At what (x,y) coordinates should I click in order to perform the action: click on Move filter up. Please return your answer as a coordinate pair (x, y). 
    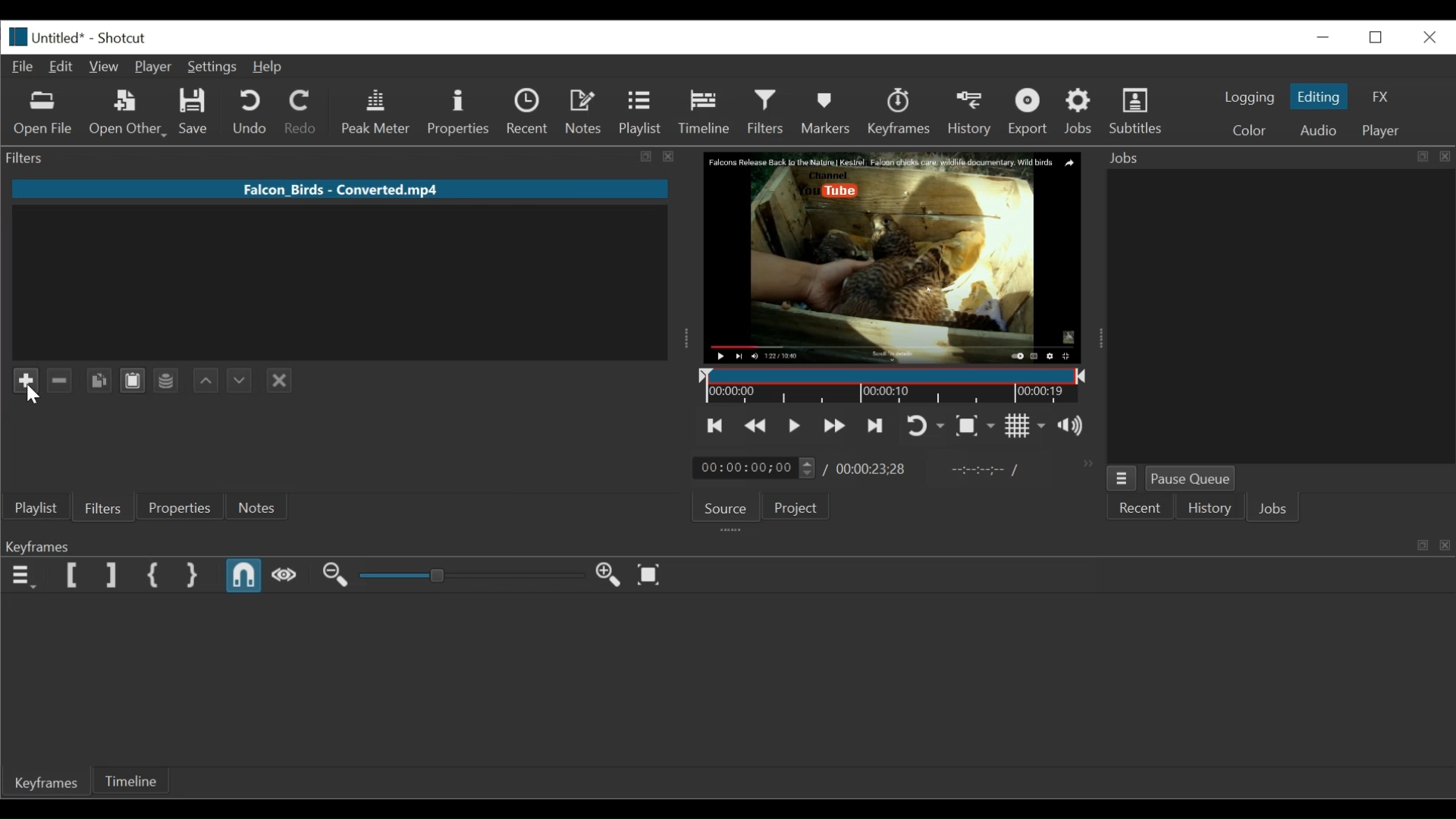
    Looking at the image, I should click on (204, 381).